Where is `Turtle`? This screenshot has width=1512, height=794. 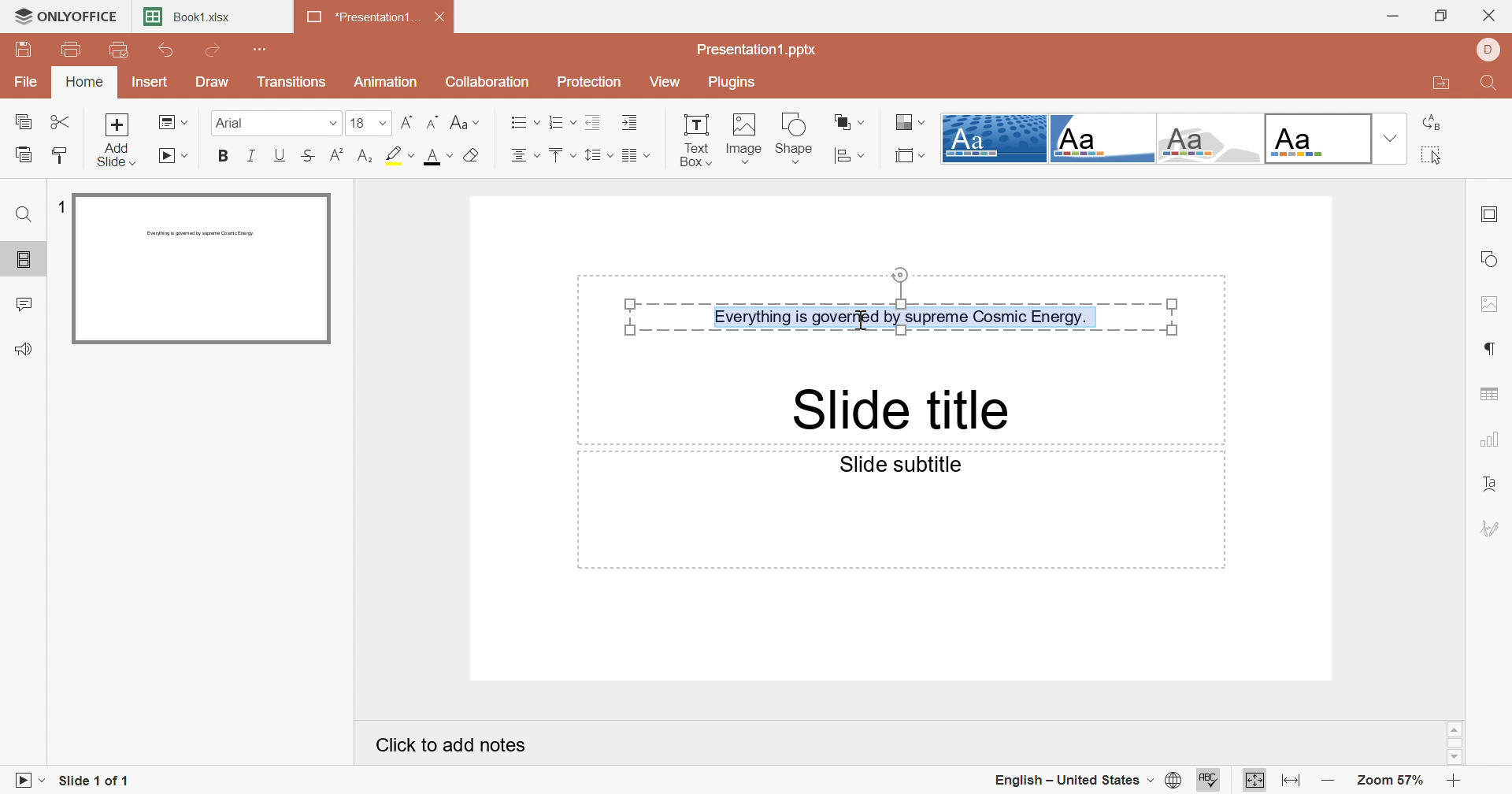 Turtle is located at coordinates (1210, 139).